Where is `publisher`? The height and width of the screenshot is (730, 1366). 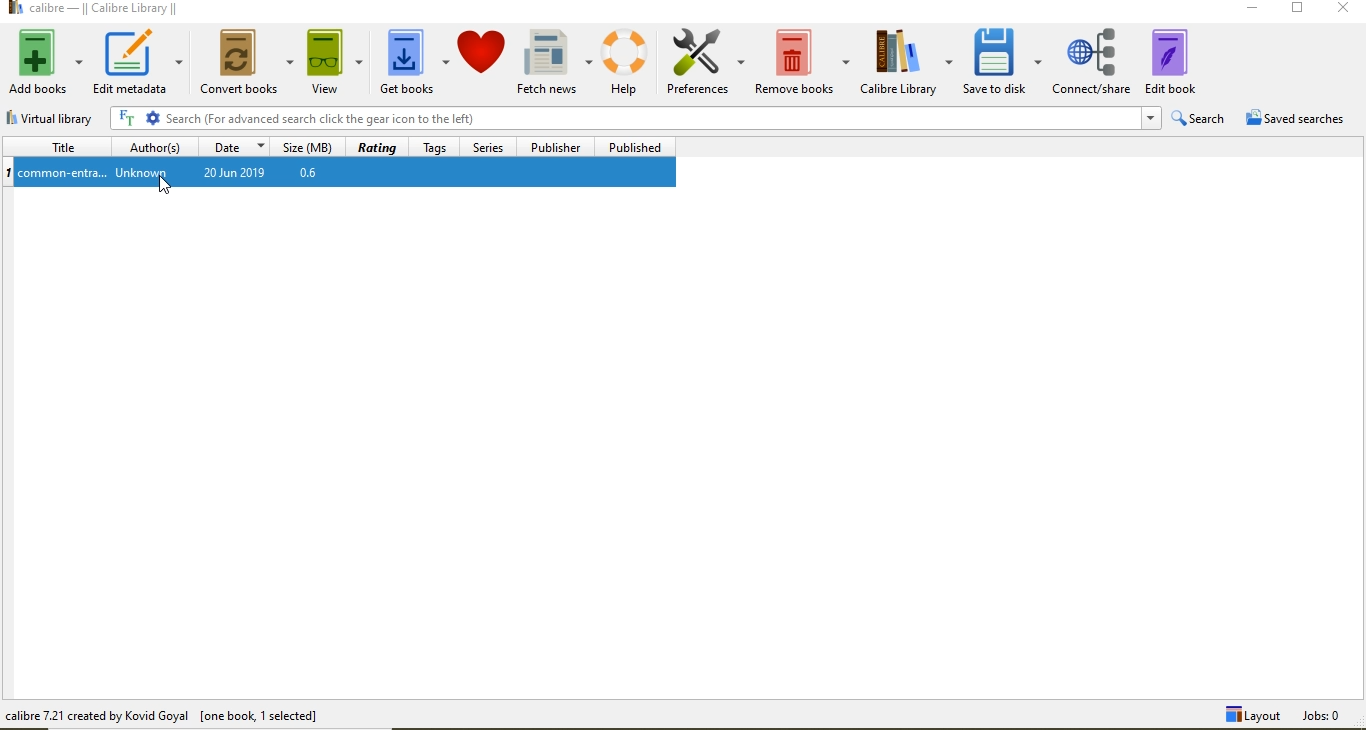 publisher is located at coordinates (553, 147).